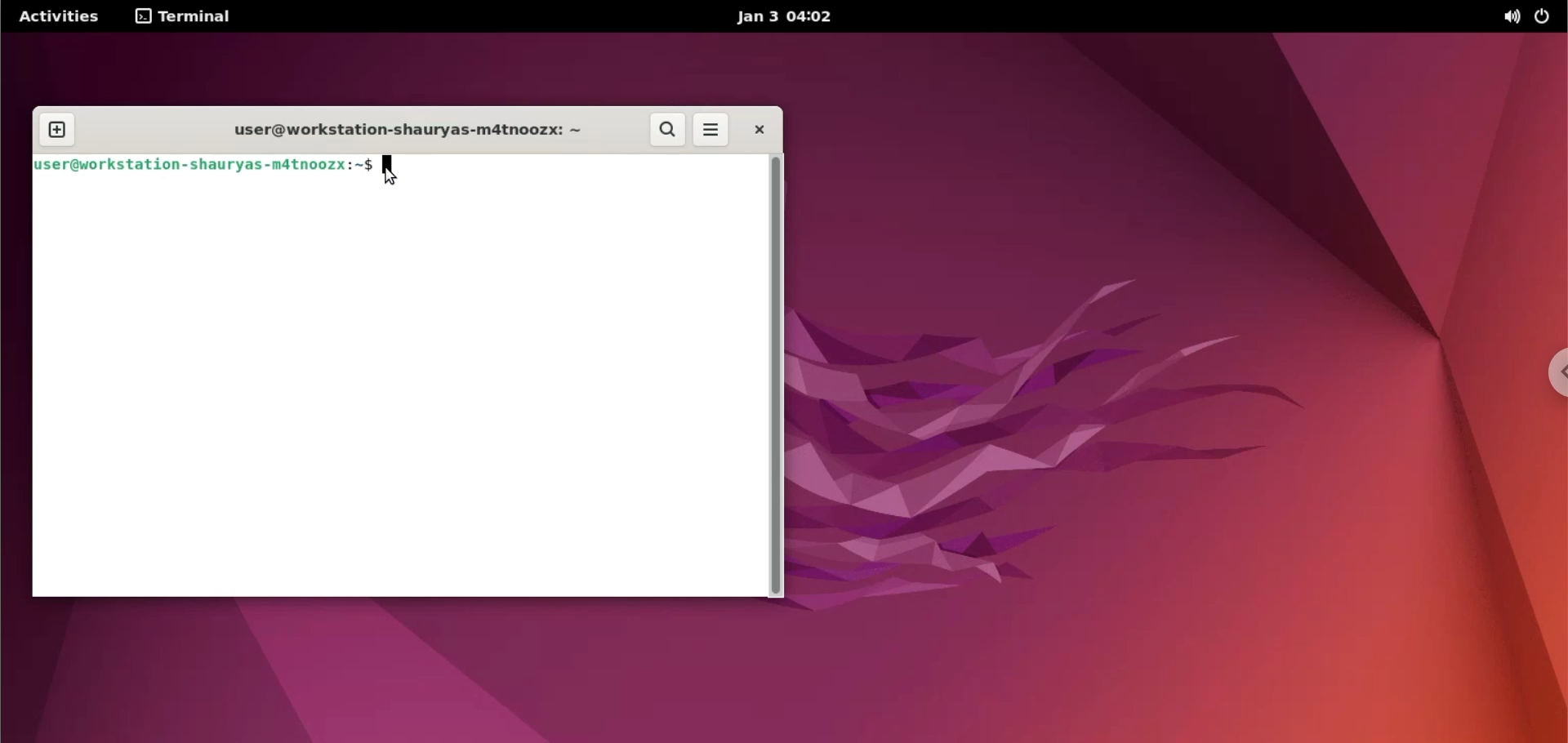 The width and height of the screenshot is (1568, 743). Describe the element at coordinates (57, 128) in the screenshot. I see `new tab` at that location.